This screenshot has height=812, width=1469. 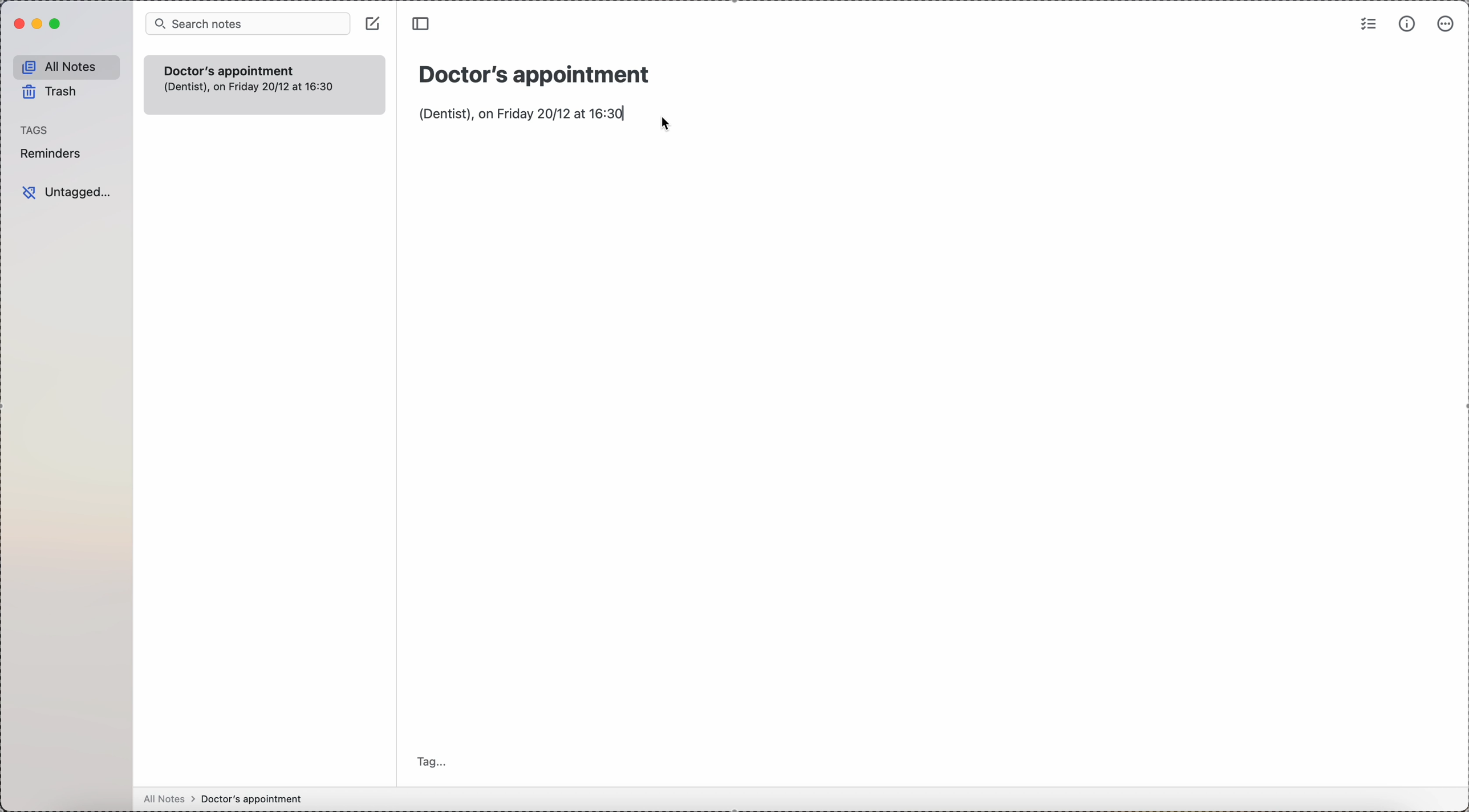 What do you see at coordinates (57, 25) in the screenshot?
I see `maximize Simplenote` at bounding box center [57, 25].